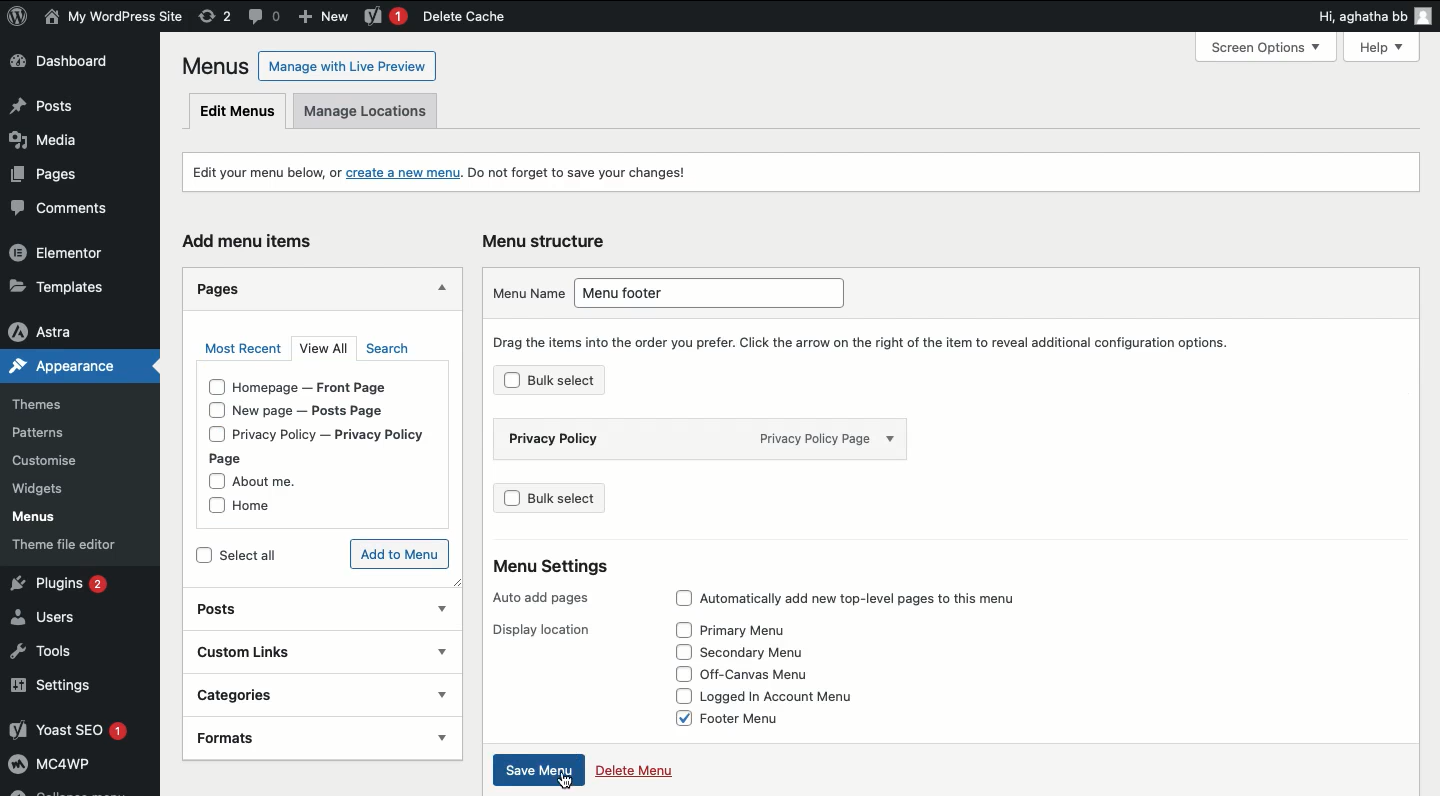  I want to click on Add to menu, so click(400, 554).